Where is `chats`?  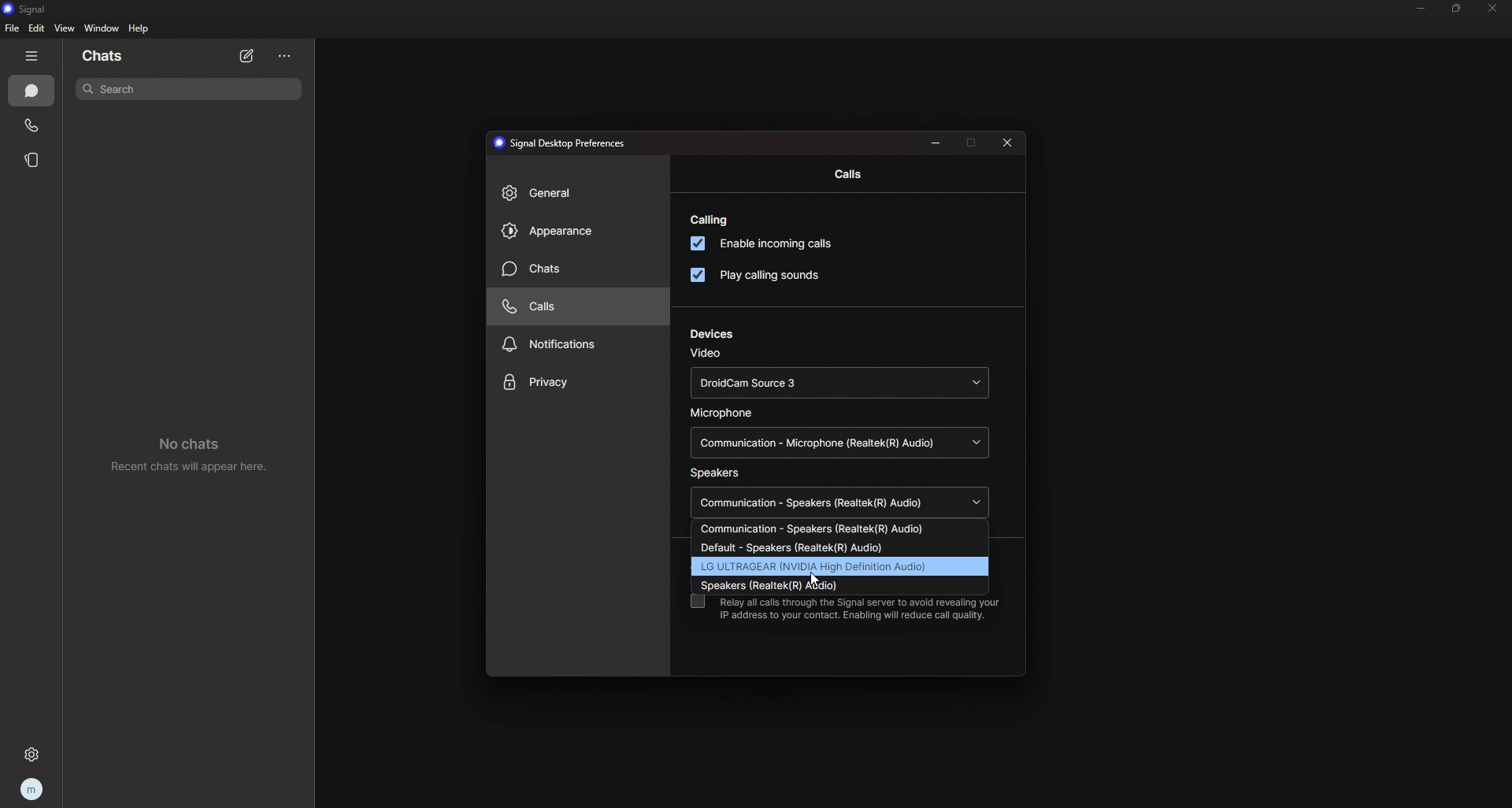 chats is located at coordinates (107, 57).